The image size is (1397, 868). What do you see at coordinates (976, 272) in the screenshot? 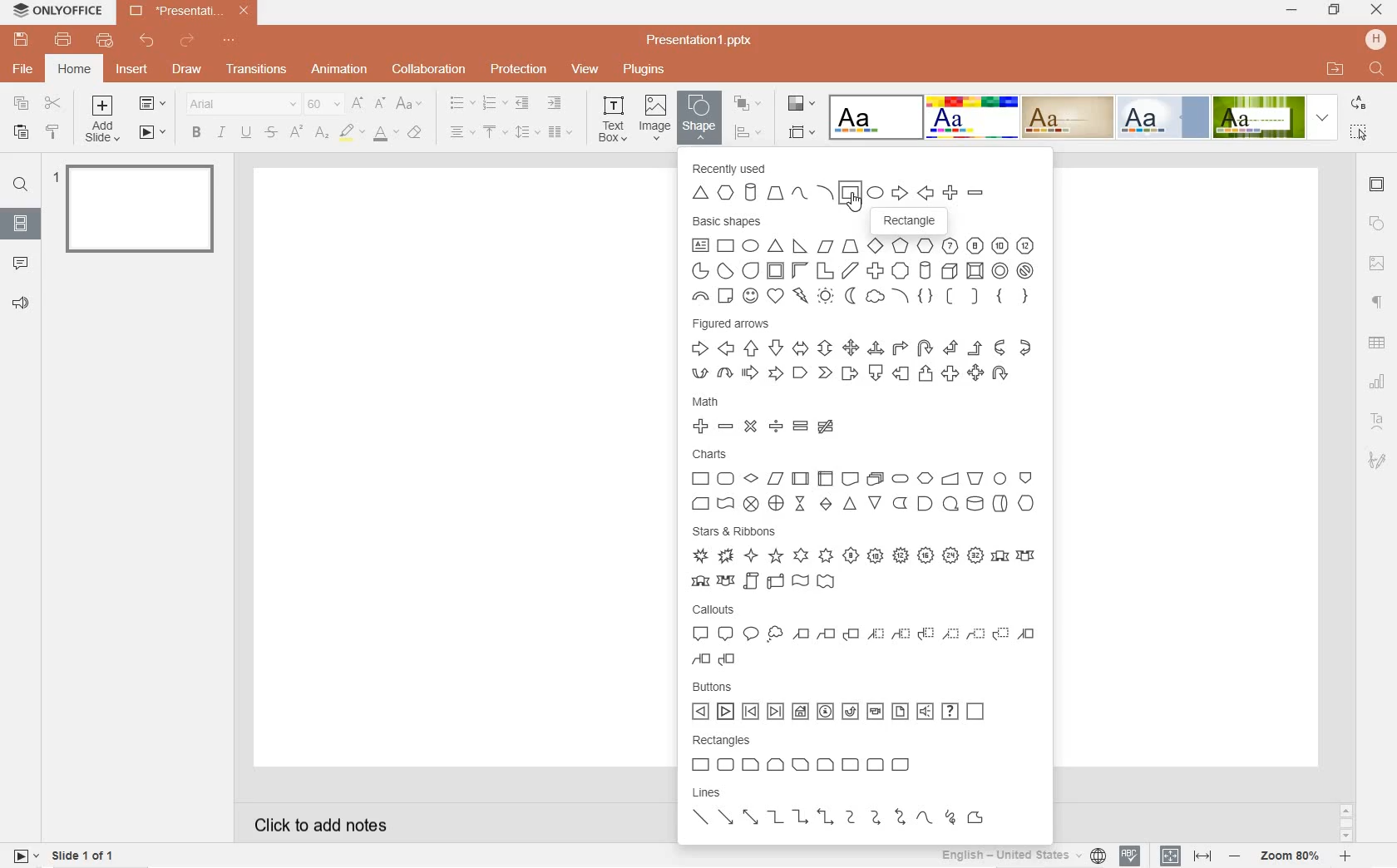
I see `Bevel` at bounding box center [976, 272].